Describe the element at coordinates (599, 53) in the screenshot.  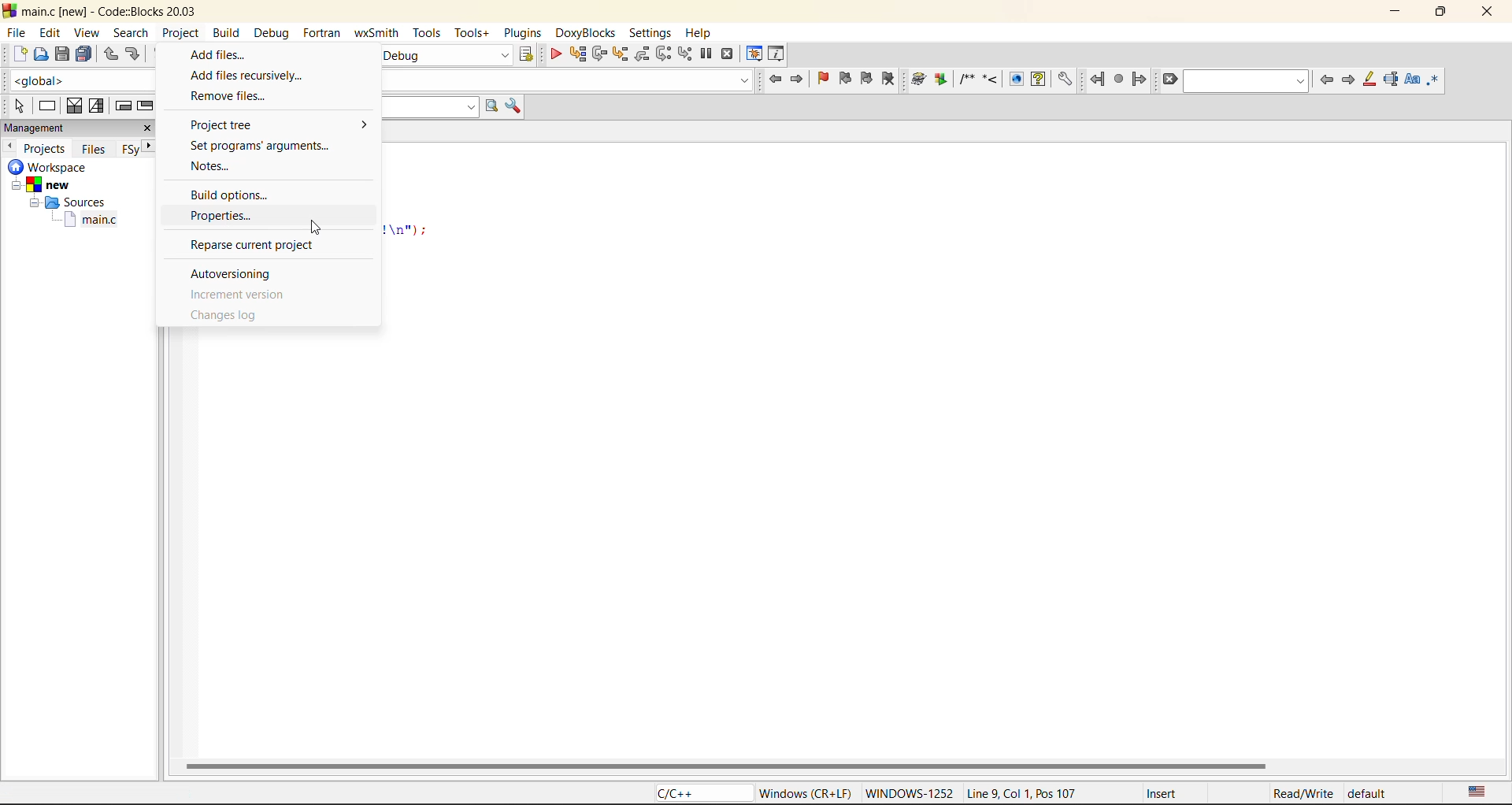
I see `next line` at that location.